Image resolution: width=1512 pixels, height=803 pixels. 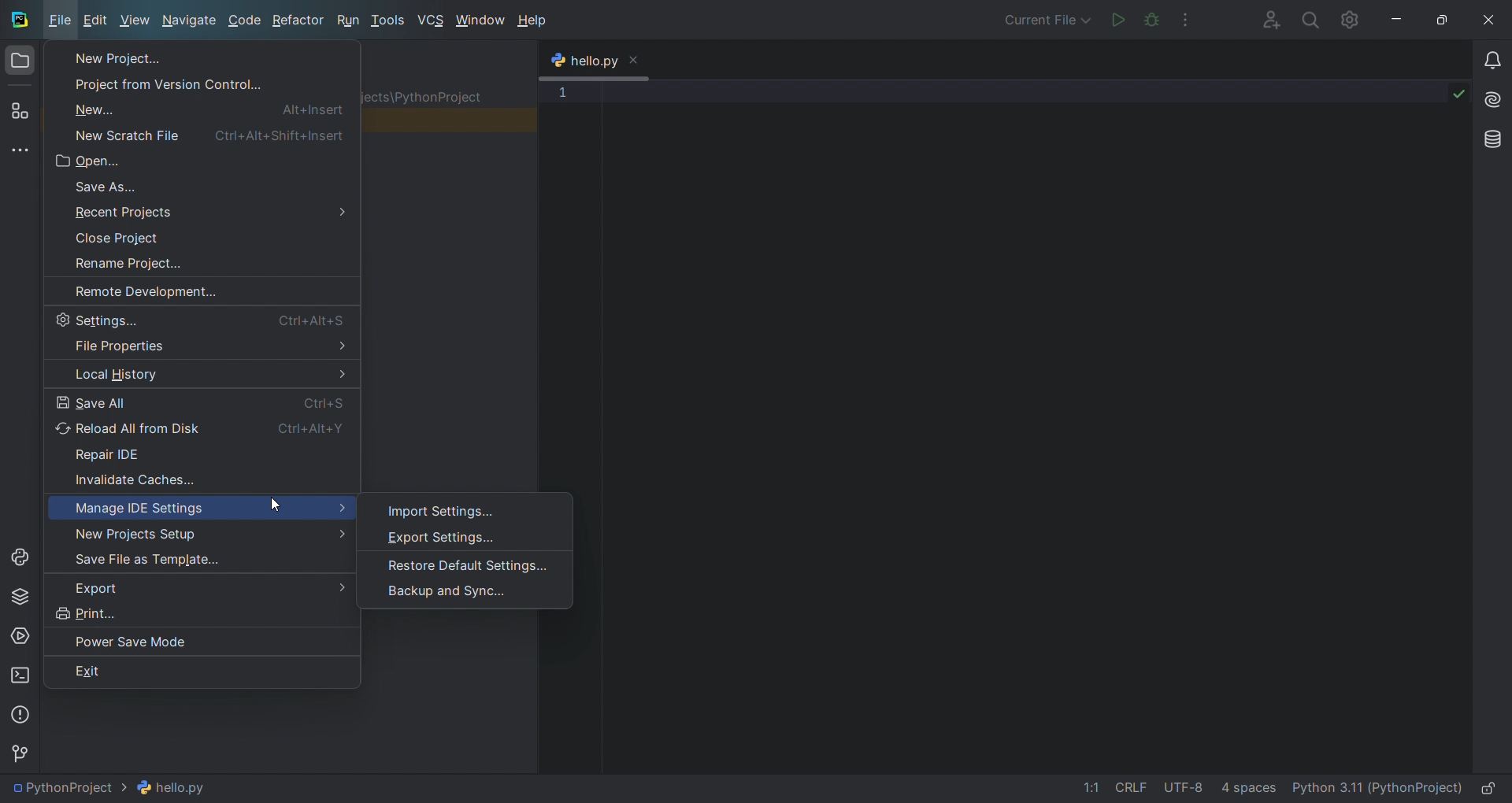 What do you see at coordinates (203, 210) in the screenshot?
I see `recent project` at bounding box center [203, 210].